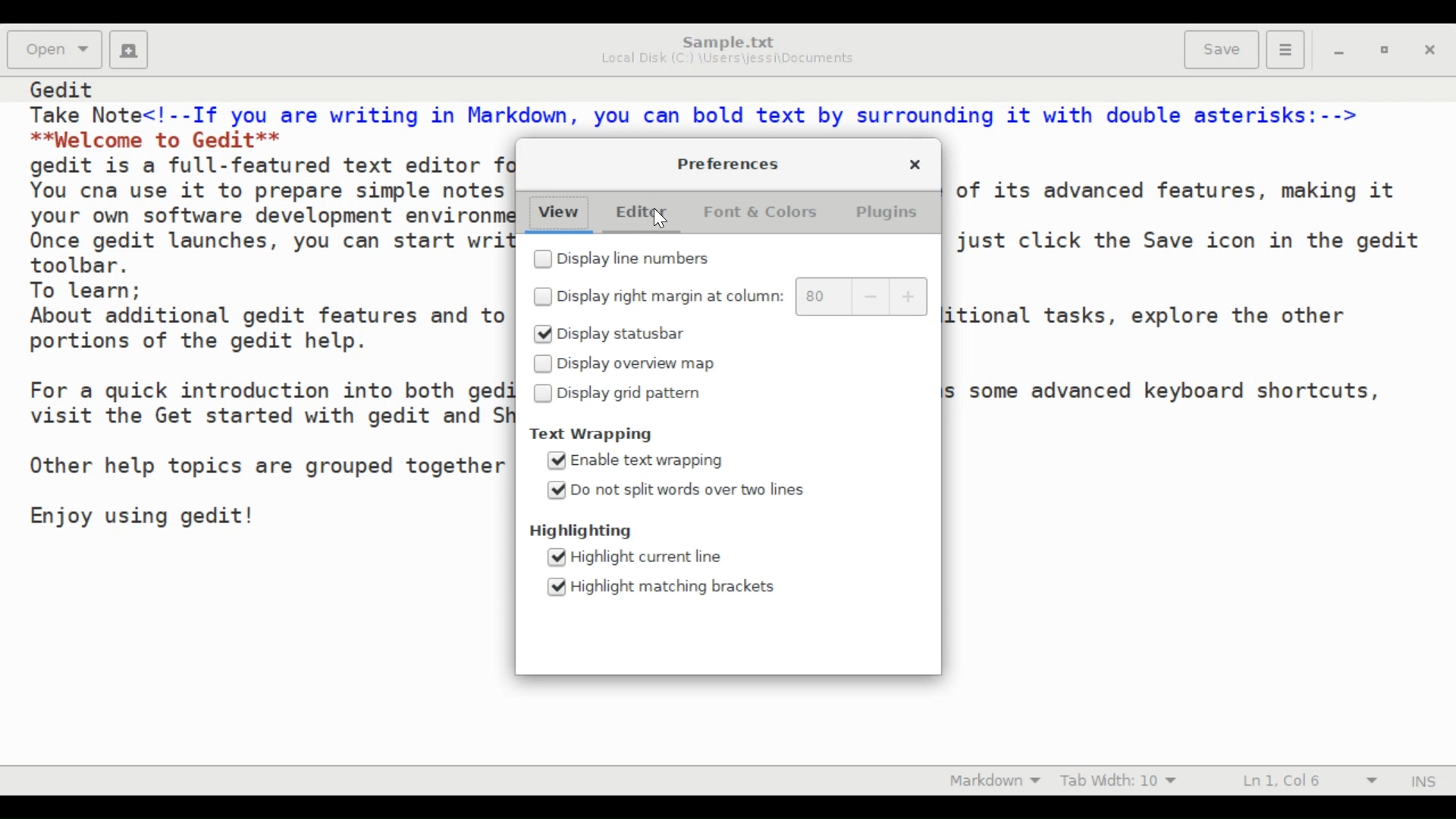  Describe the element at coordinates (763, 214) in the screenshot. I see `Fonts & Colors` at that location.